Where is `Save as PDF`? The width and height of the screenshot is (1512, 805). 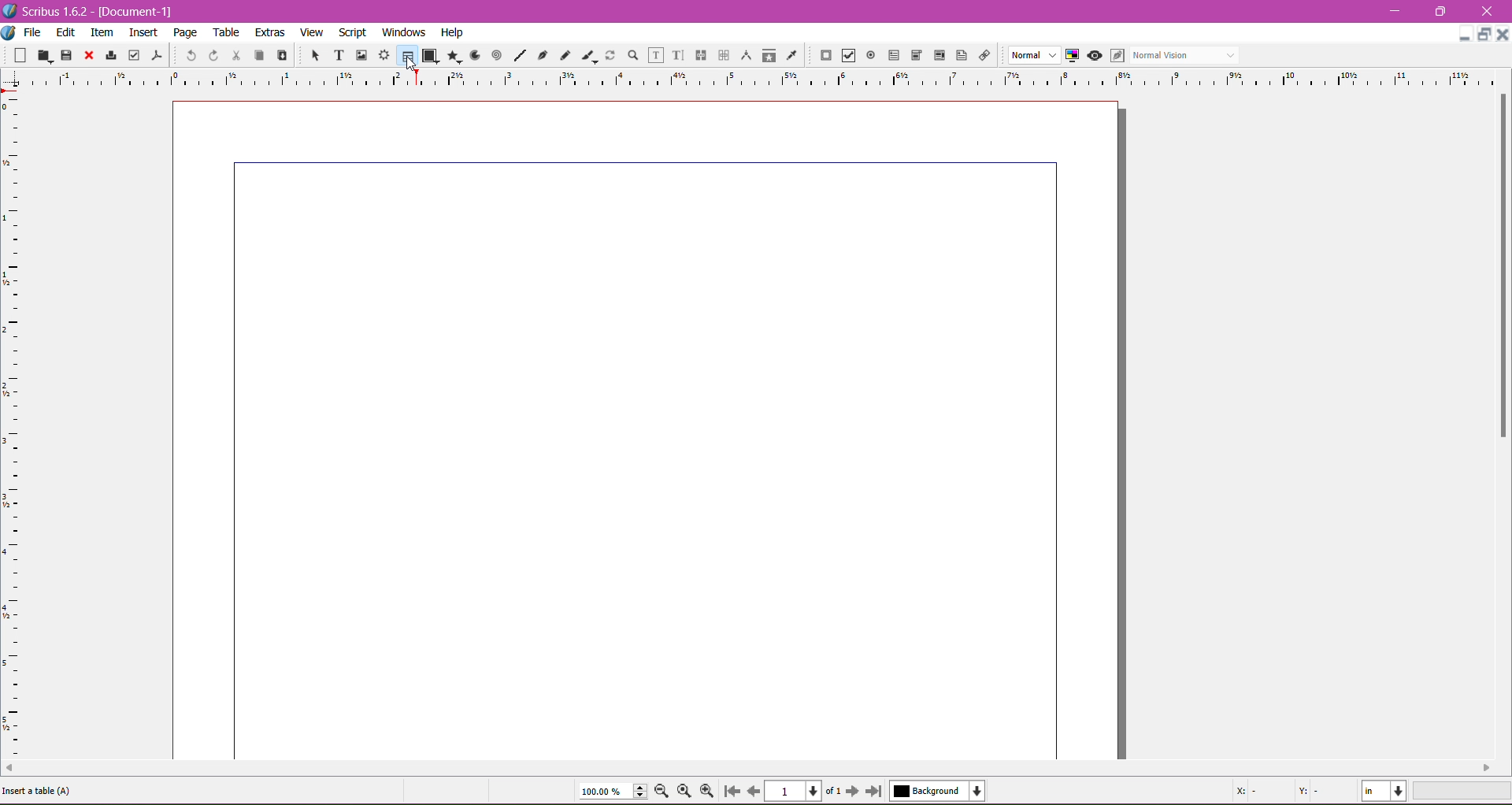 Save as PDF is located at coordinates (159, 52).